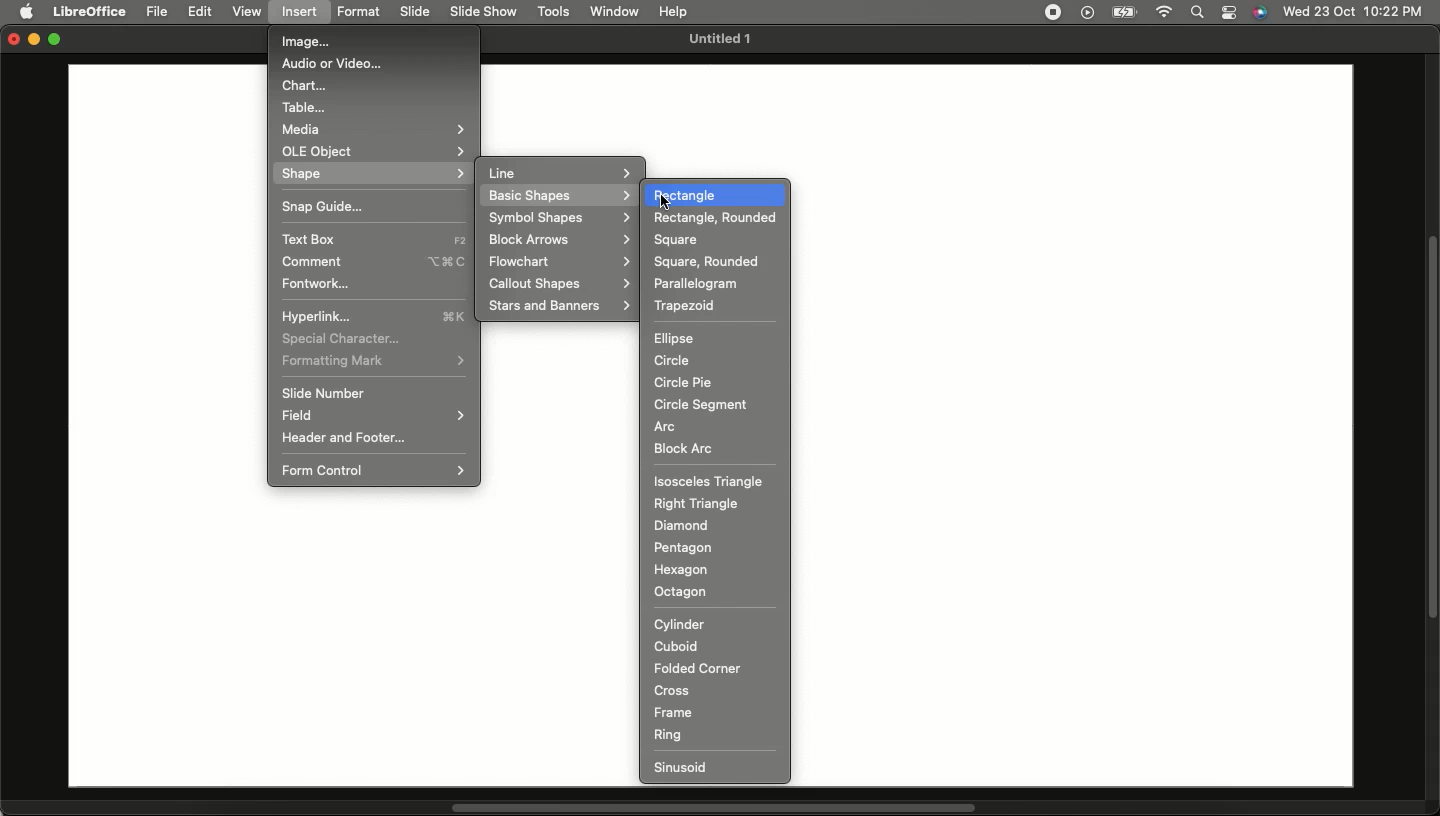  Describe the element at coordinates (560, 217) in the screenshot. I see `Symbol shapes` at that location.